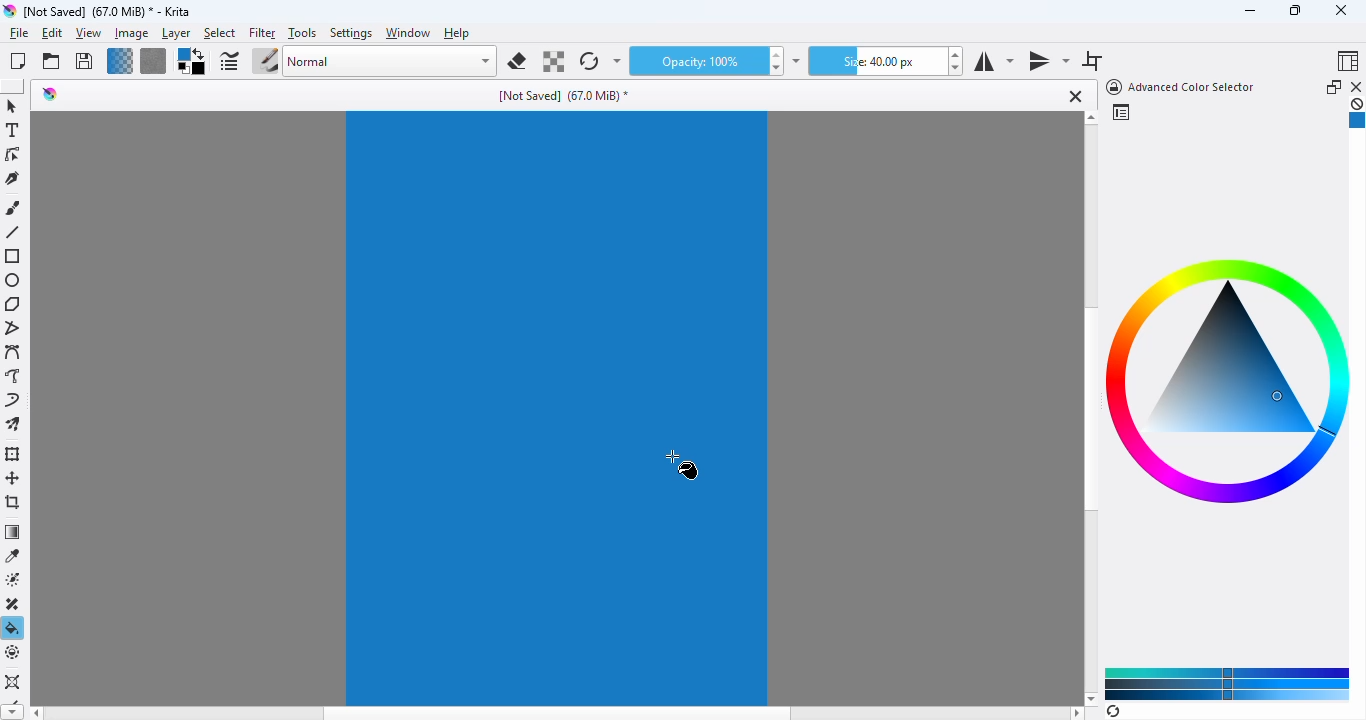 Image resolution: width=1366 pixels, height=720 pixels. Describe the element at coordinates (176, 34) in the screenshot. I see `layer` at that location.